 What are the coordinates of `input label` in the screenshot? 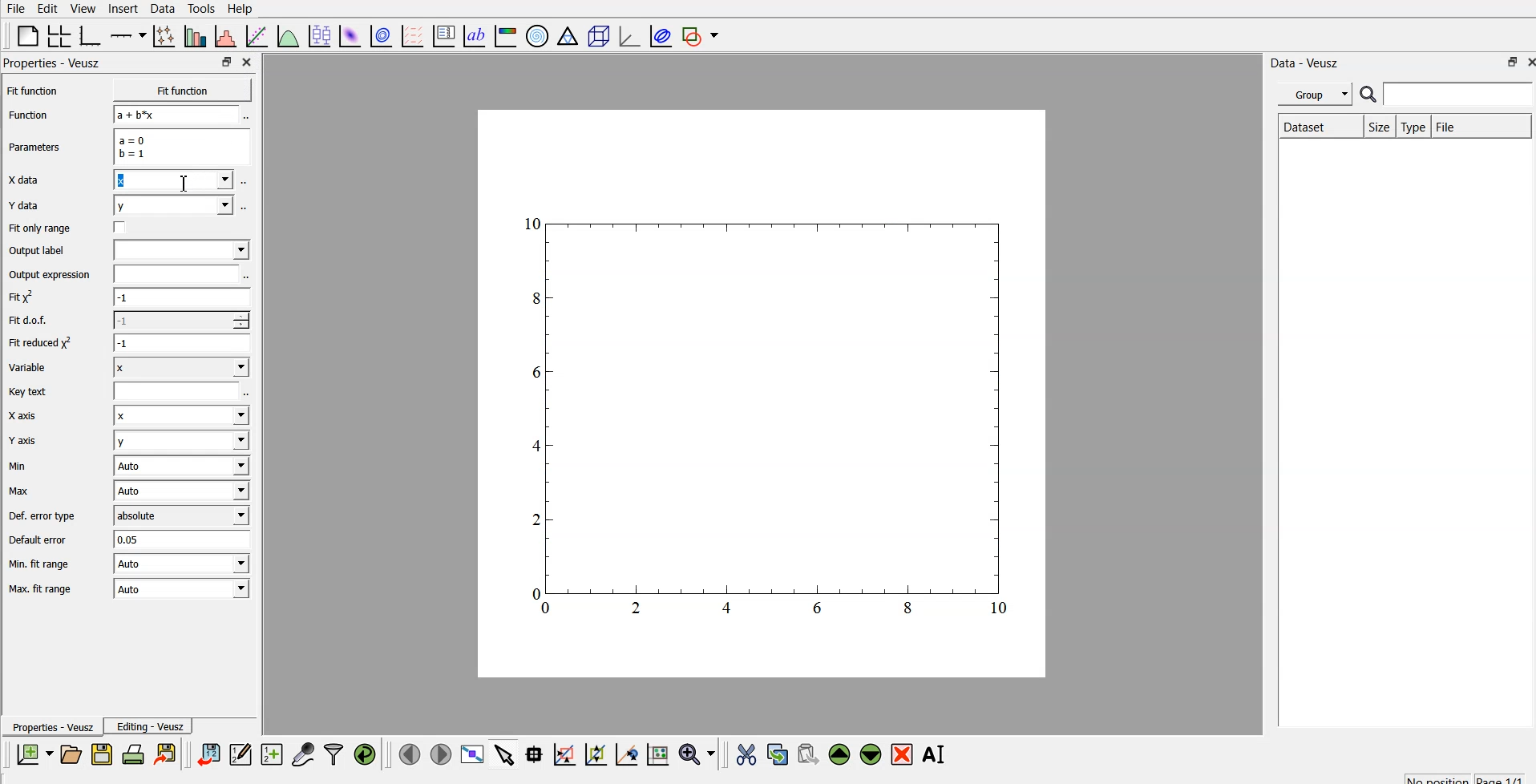 It's located at (182, 249).